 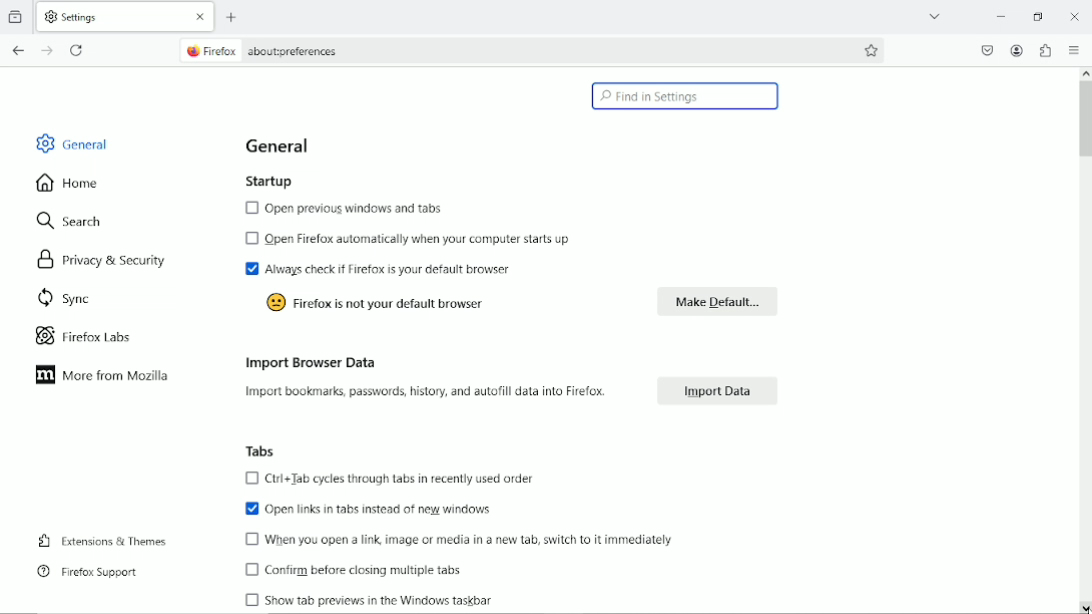 What do you see at coordinates (987, 50) in the screenshot?
I see `Save to pocket` at bounding box center [987, 50].